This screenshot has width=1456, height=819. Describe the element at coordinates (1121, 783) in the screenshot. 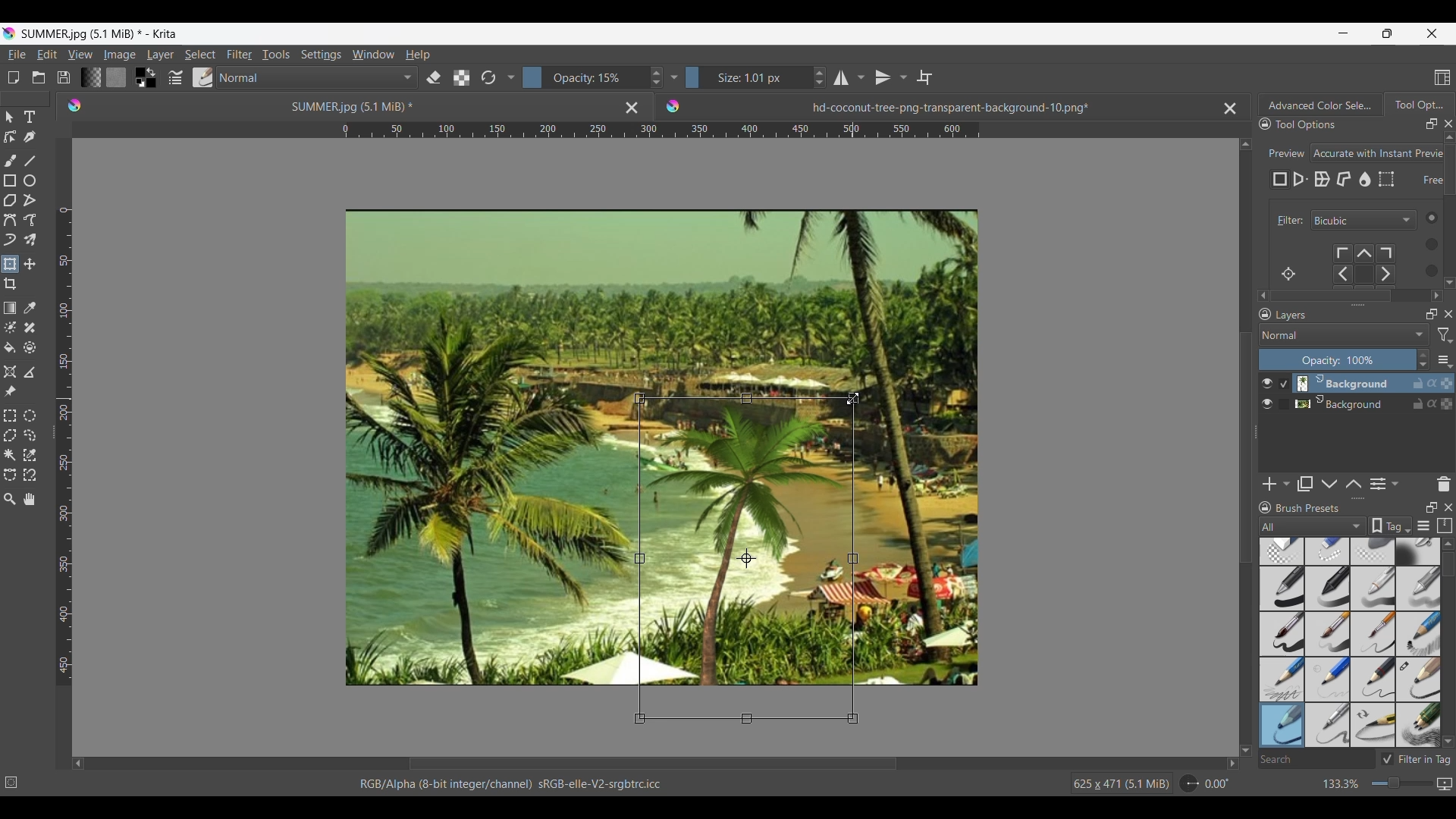

I see `Information about the selected image` at that location.